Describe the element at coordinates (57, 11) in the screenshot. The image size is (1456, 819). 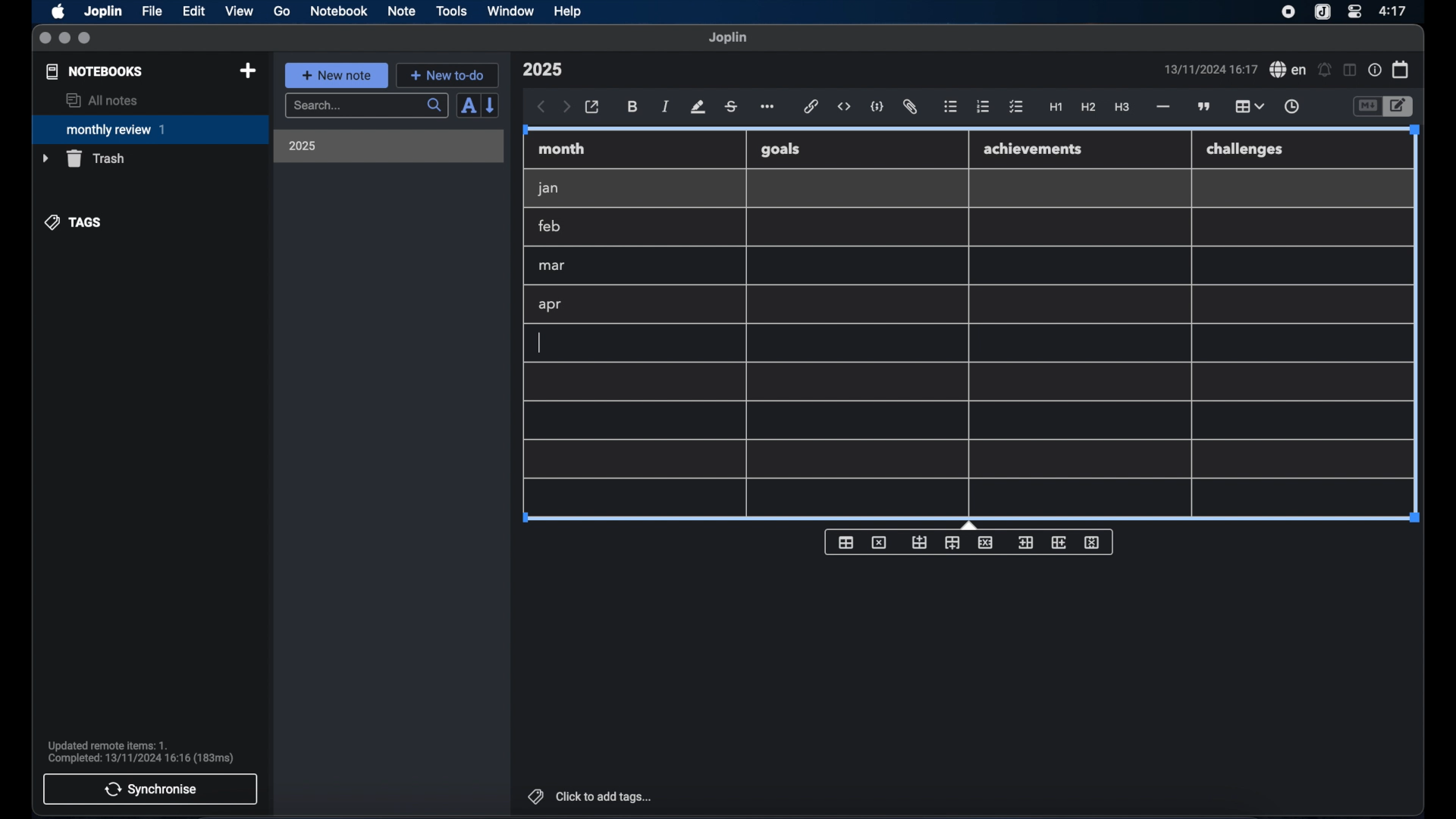
I see `apple icon` at that location.